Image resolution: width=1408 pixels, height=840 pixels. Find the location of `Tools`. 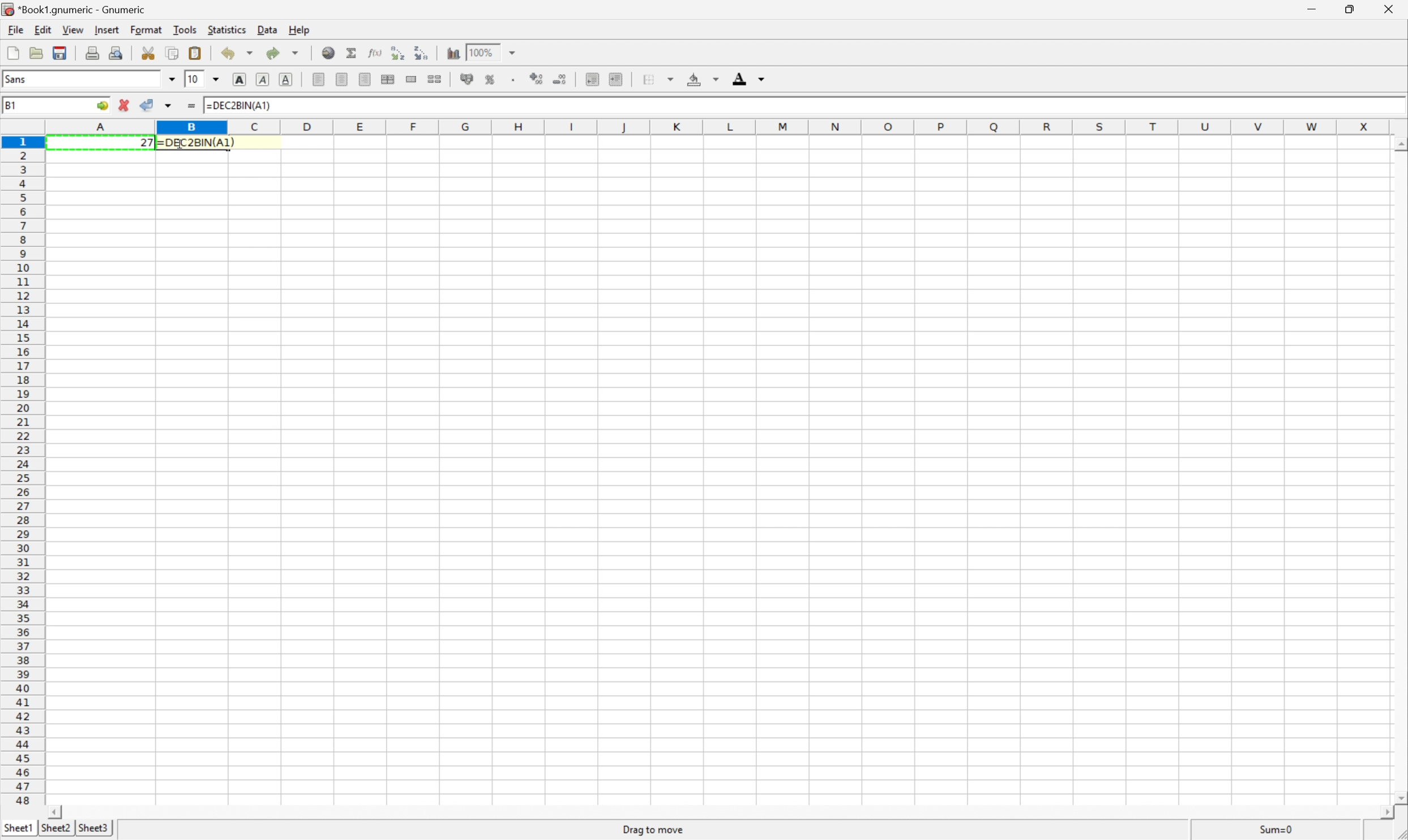

Tools is located at coordinates (184, 28).